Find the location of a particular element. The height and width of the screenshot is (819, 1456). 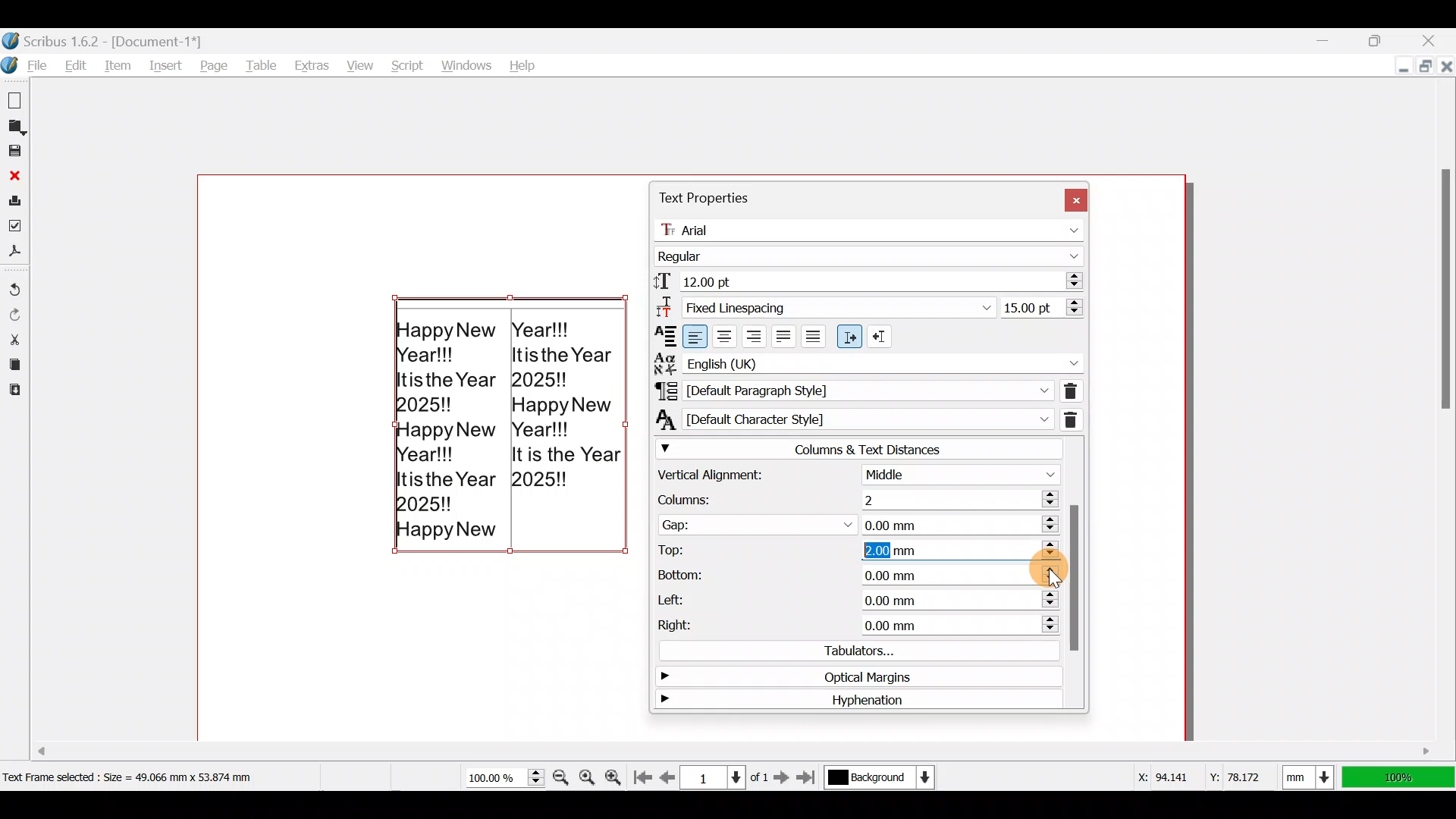

Redo is located at coordinates (17, 312).